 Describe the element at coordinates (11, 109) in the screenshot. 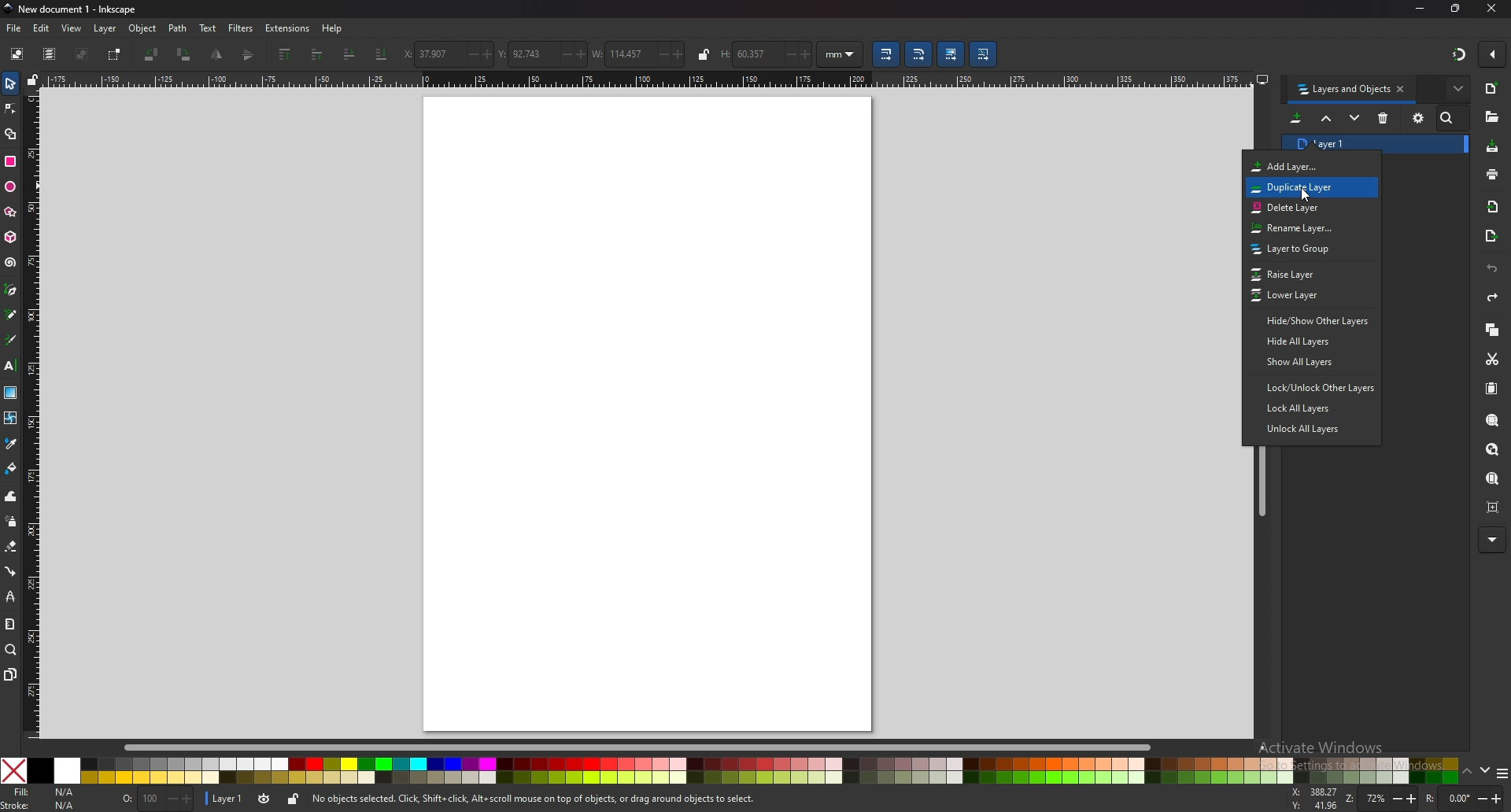

I see `node` at that location.